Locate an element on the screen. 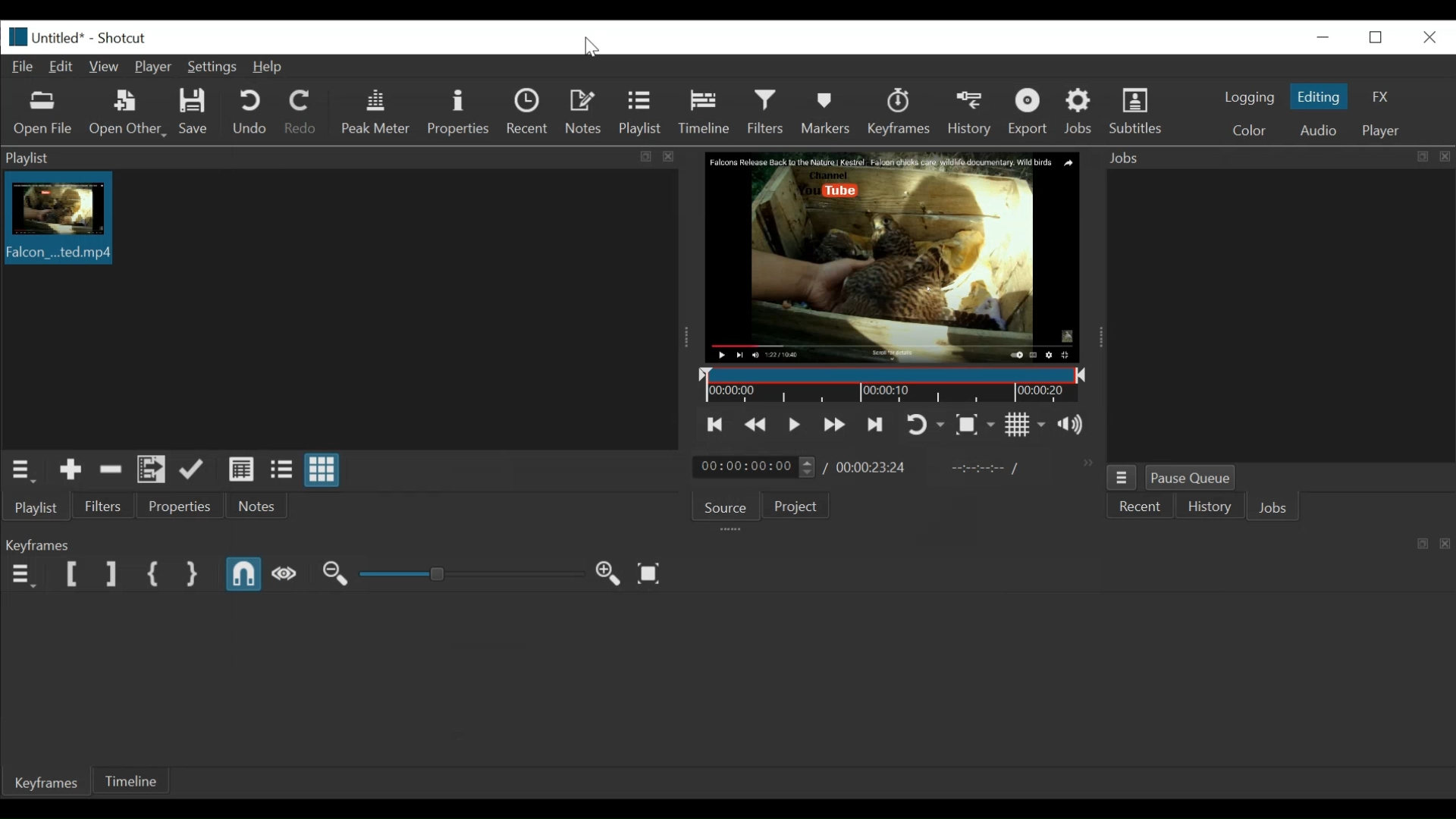 Image resolution: width=1456 pixels, height=819 pixels. Jobs Panel is located at coordinates (1275, 158).